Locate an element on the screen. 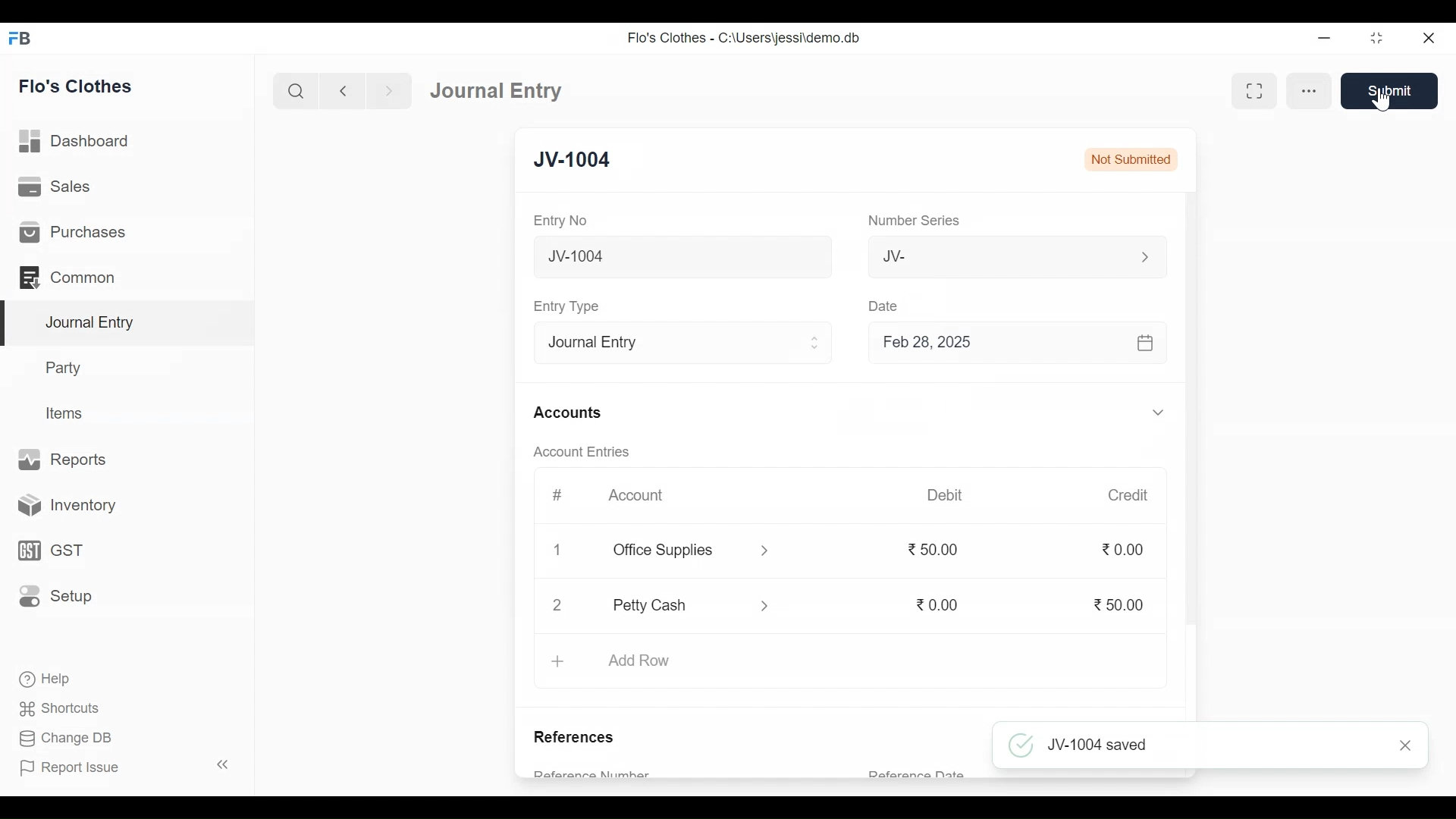 The height and width of the screenshot is (819, 1456). Expand is located at coordinates (817, 343).